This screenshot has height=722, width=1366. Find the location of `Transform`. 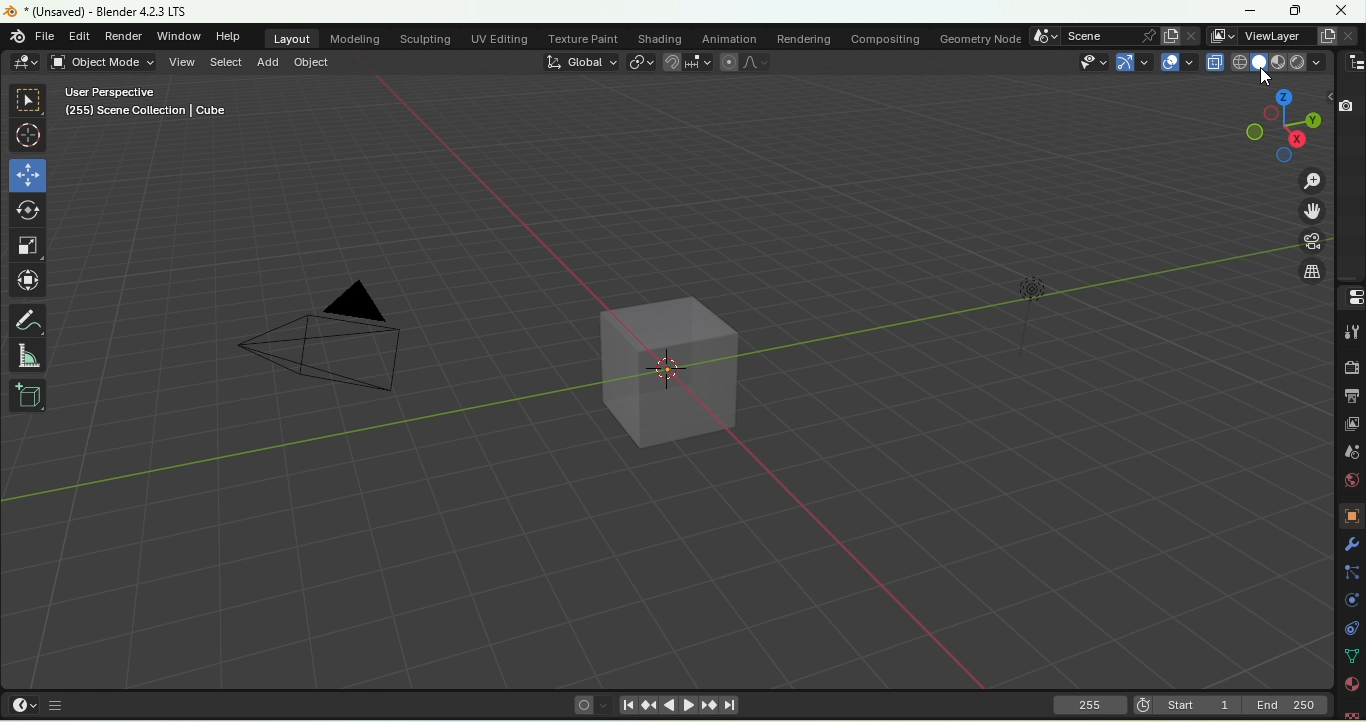

Transform is located at coordinates (31, 280).